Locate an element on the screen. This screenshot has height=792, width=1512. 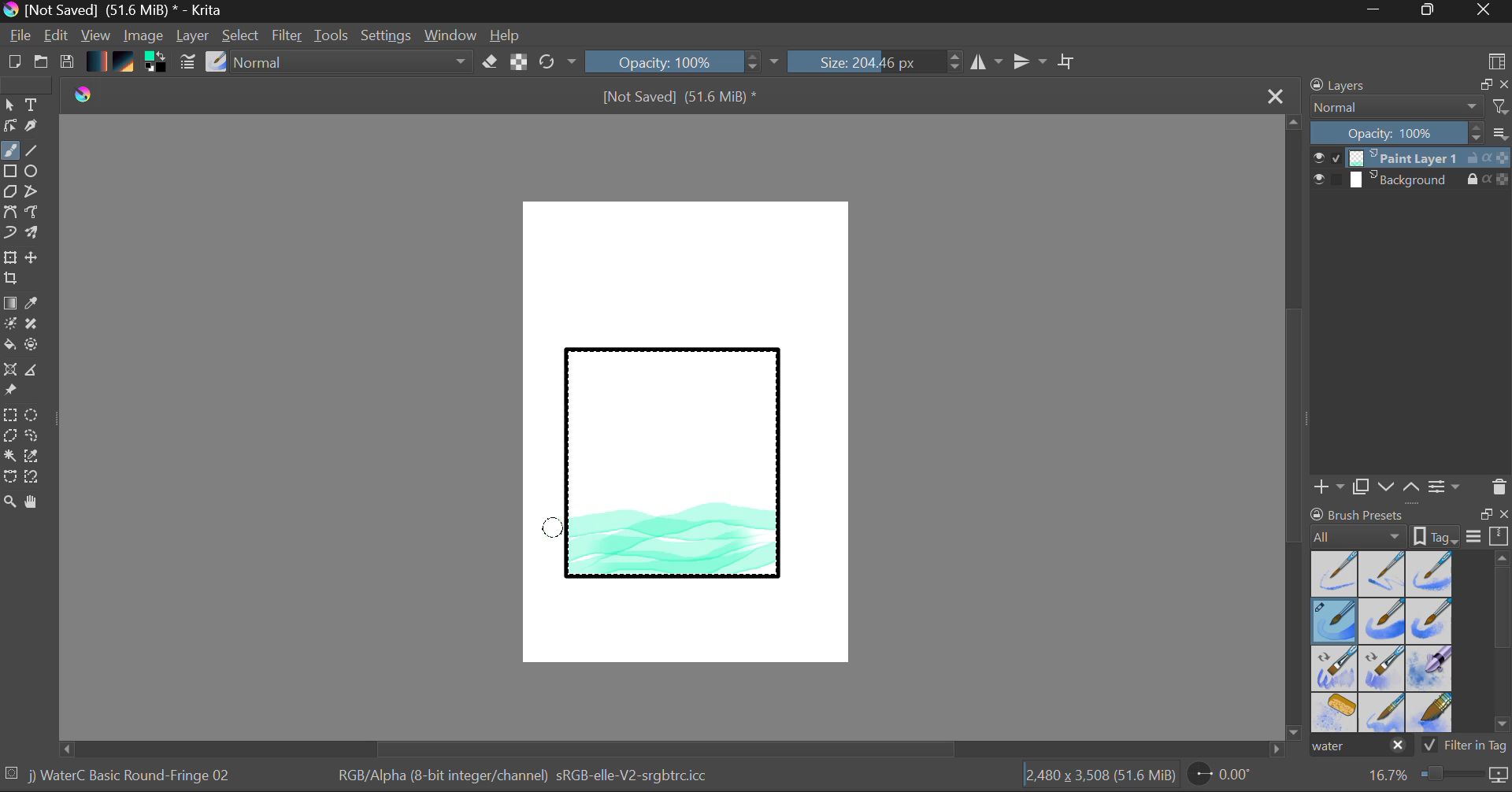
Brush presets docket is located at coordinates (1410, 525).